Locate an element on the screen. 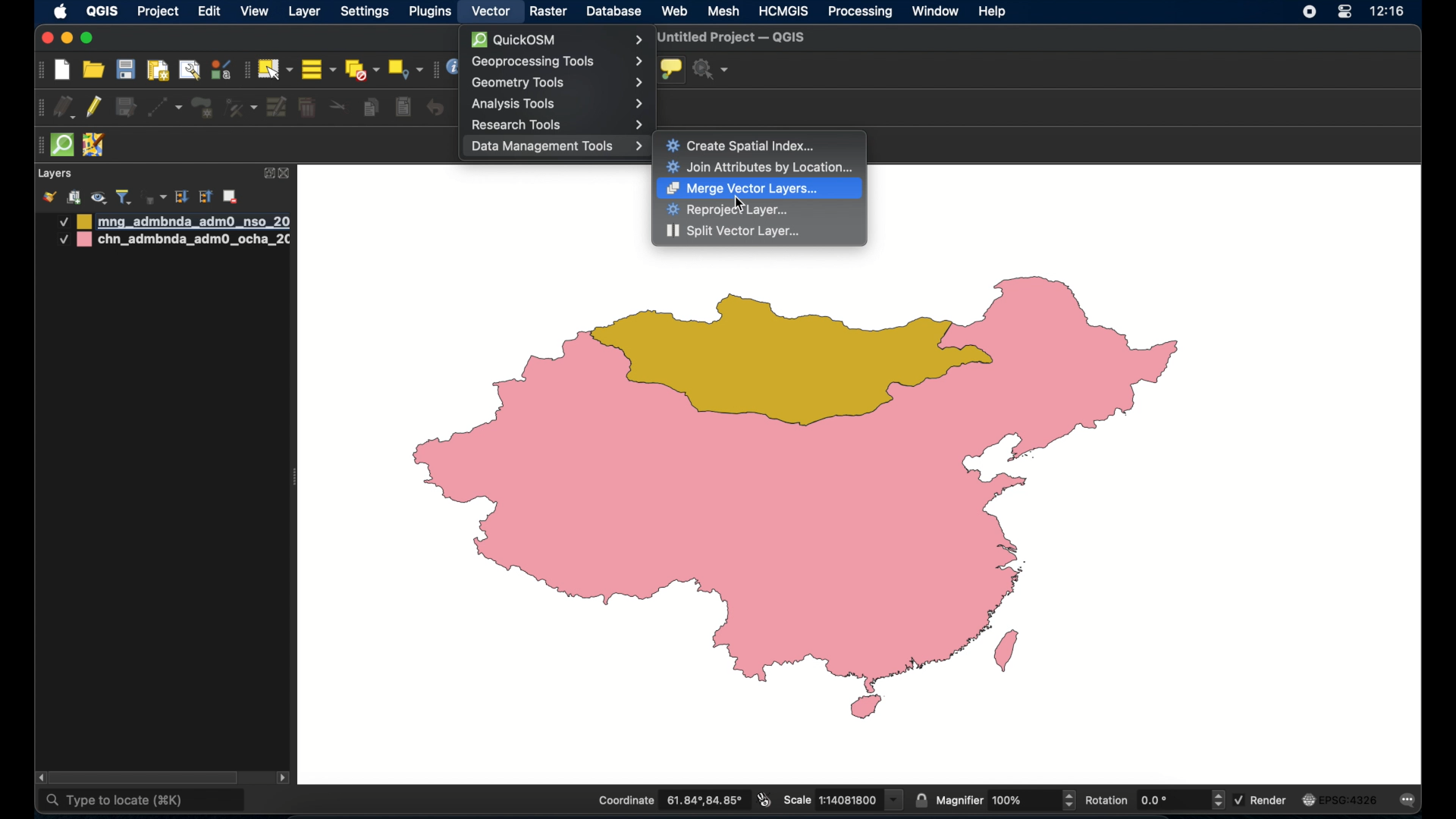 This screenshot has height=819, width=1456. type to locate is located at coordinates (143, 802).